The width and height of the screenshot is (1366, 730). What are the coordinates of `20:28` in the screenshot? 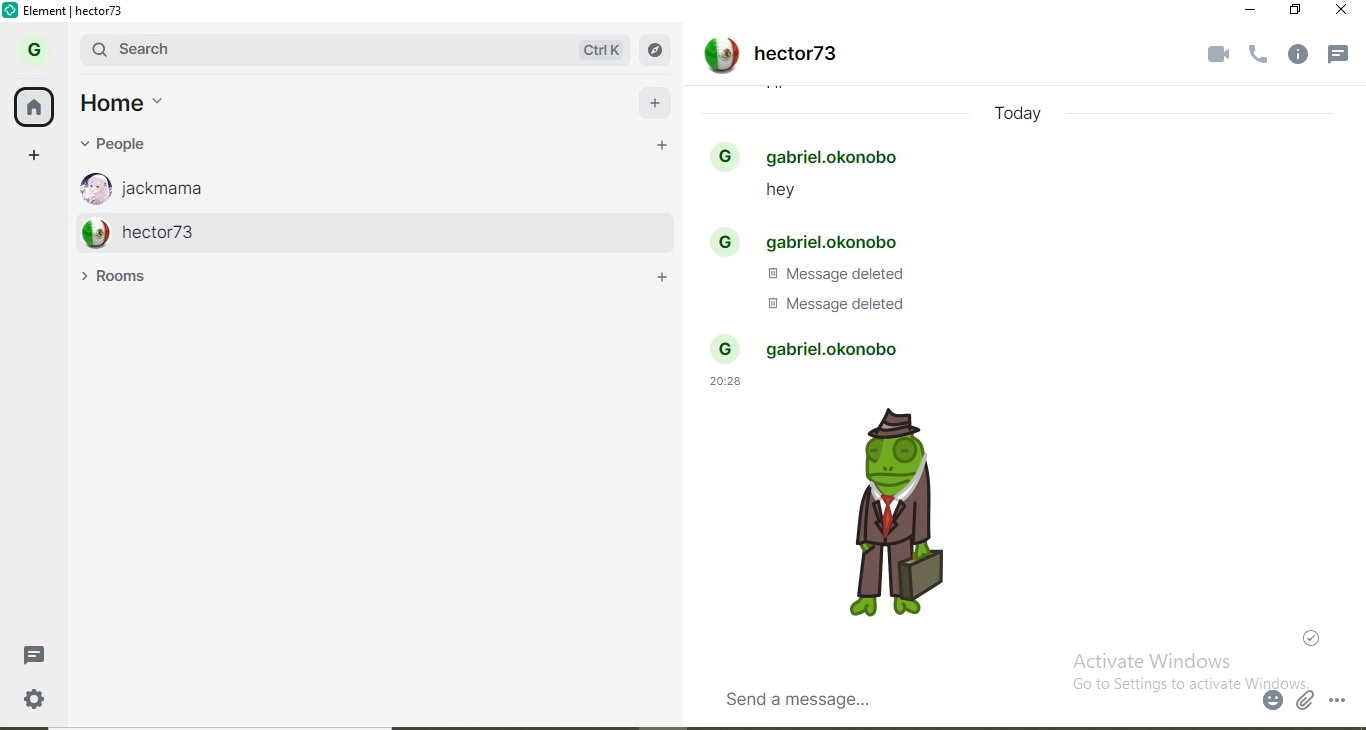 It's located at (723, 379).